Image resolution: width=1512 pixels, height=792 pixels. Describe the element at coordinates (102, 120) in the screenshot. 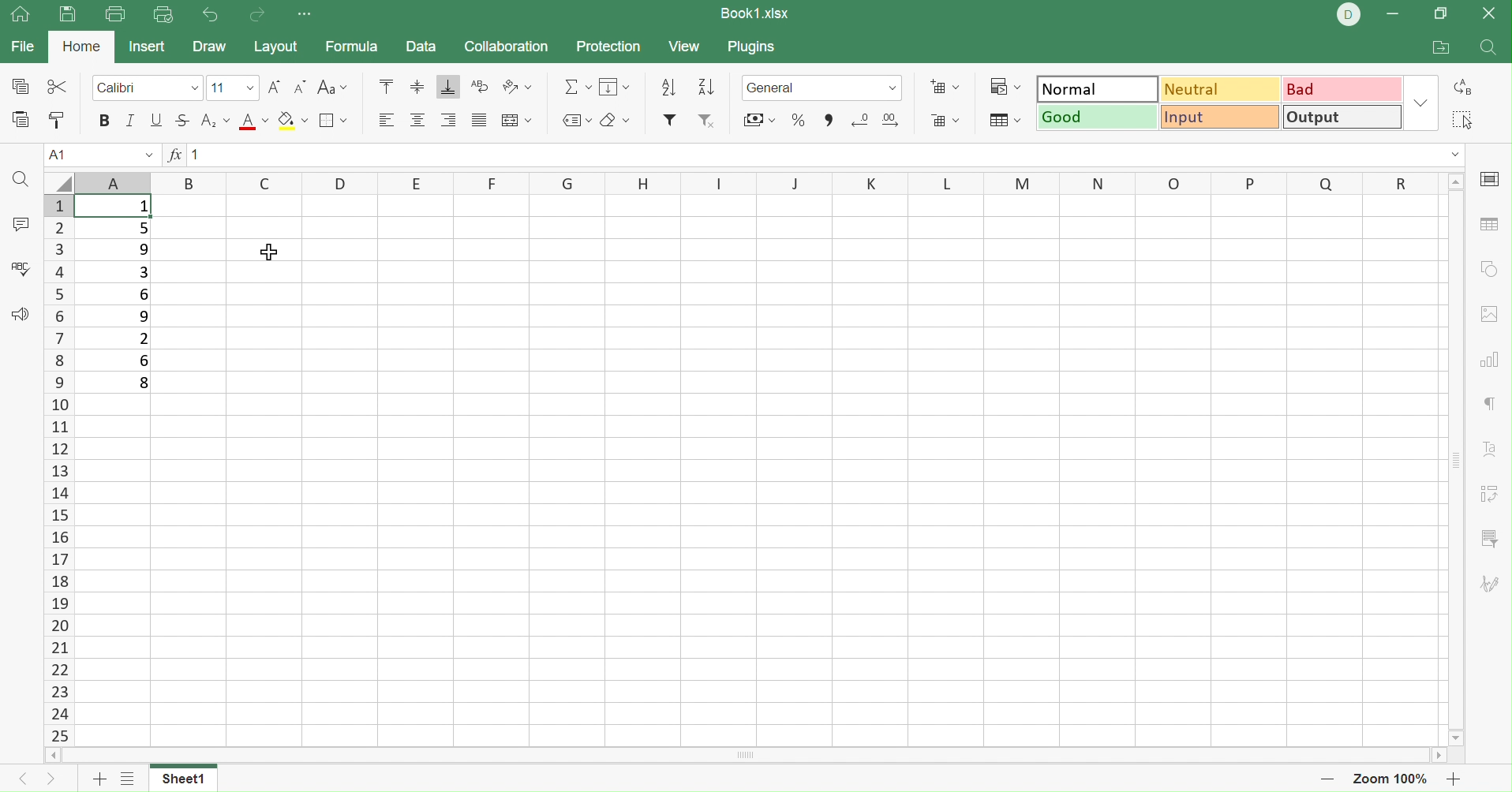

I see `Bold` at that location.